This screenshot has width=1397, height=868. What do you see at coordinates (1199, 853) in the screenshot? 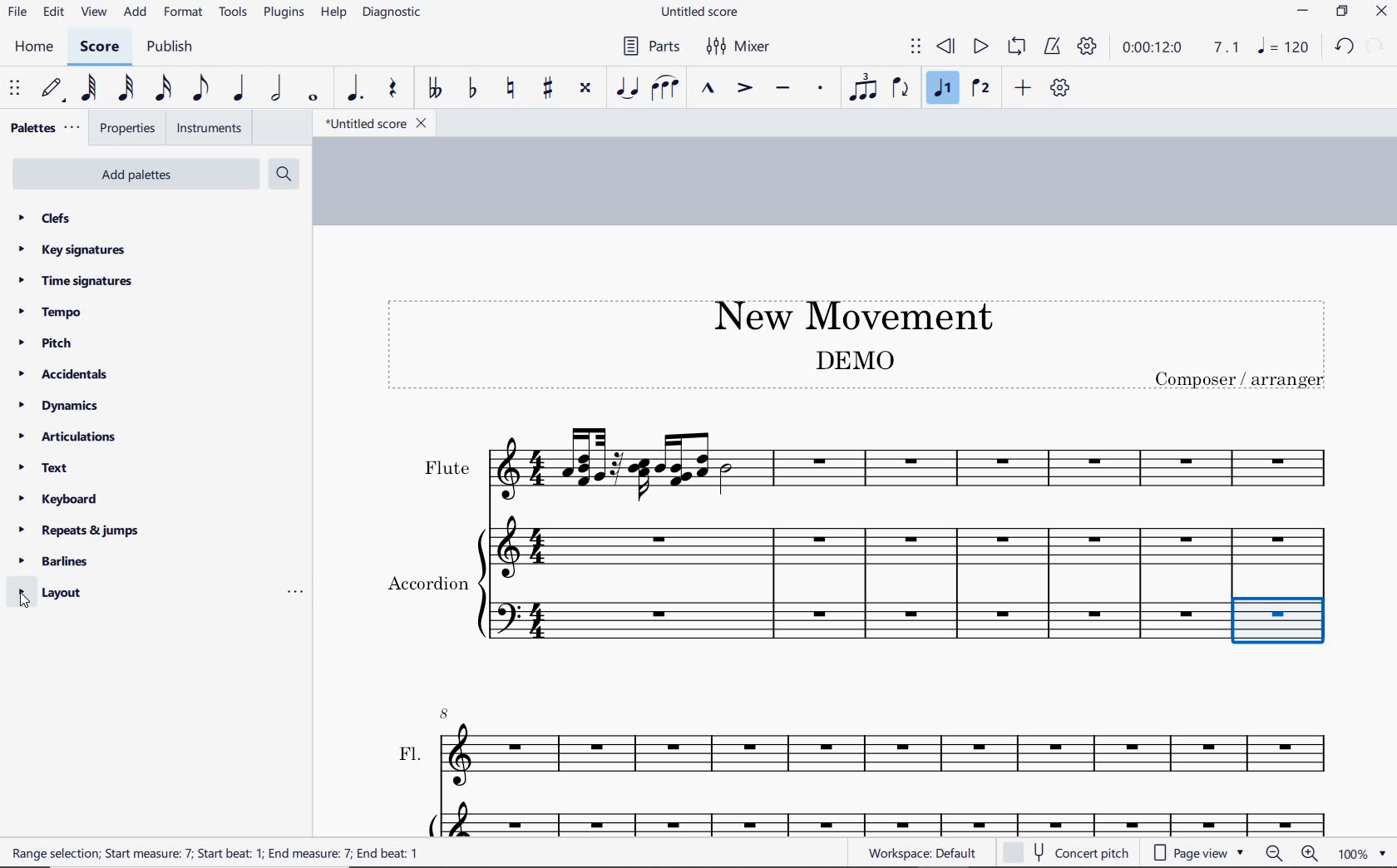
I see `page view` at bounding box center [1199, 853].